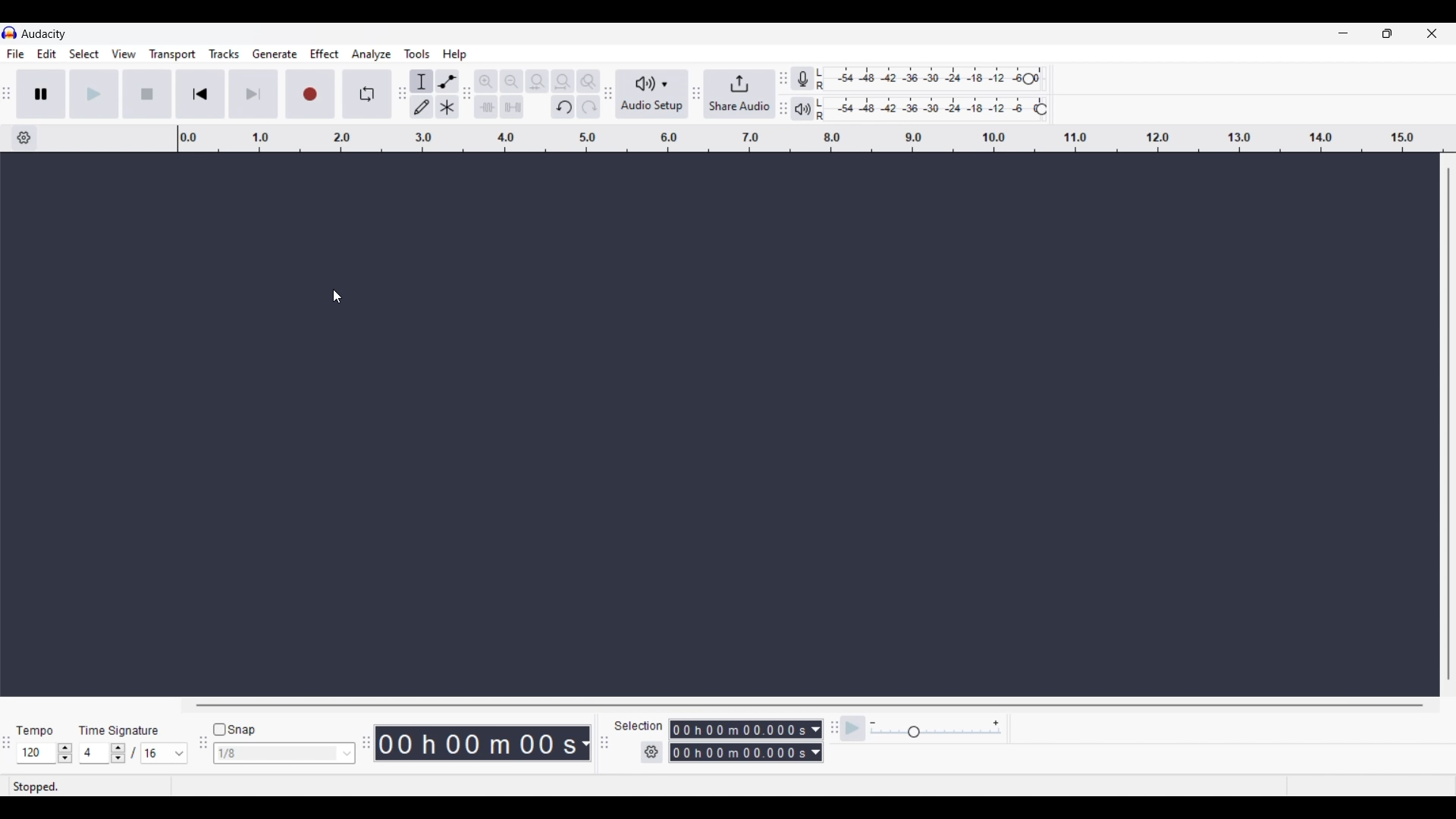 The image size is (1456, 819). Describe the element at coordinates (235, 730) in the screenshot. I see `Snap toggle` at that location.